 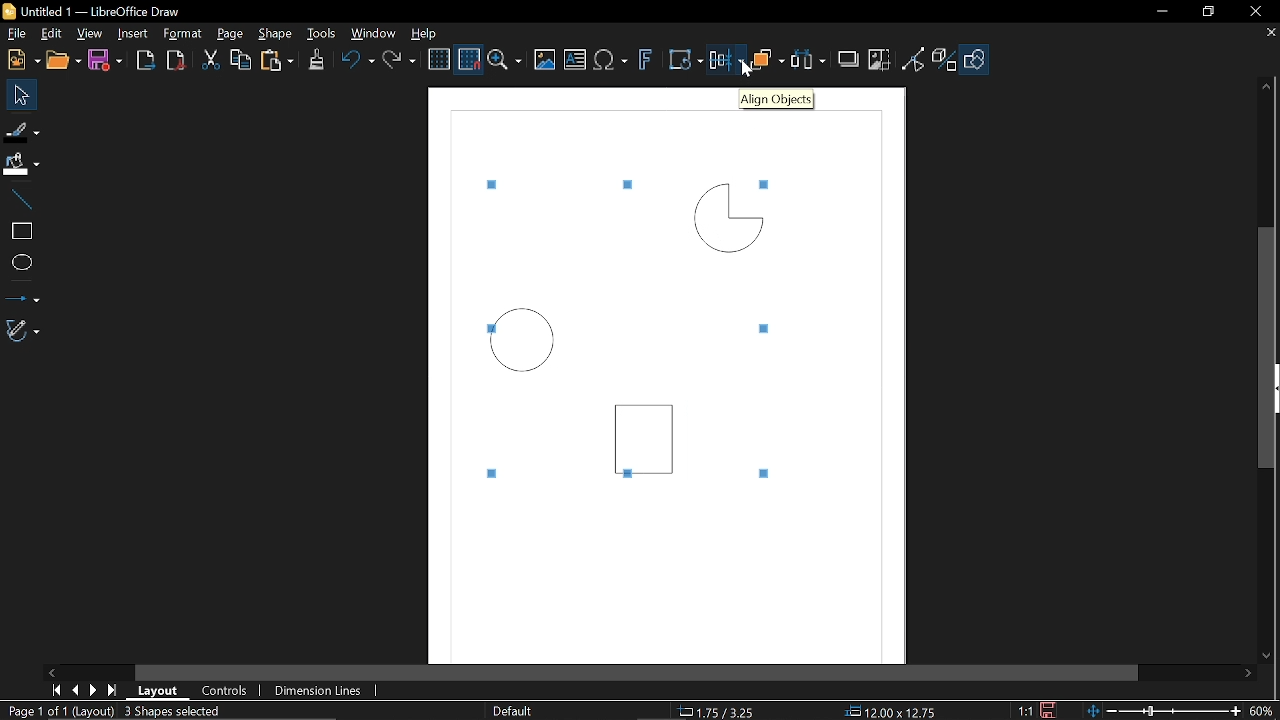 I want to click on Align Objects, so click(x=777, y=100).